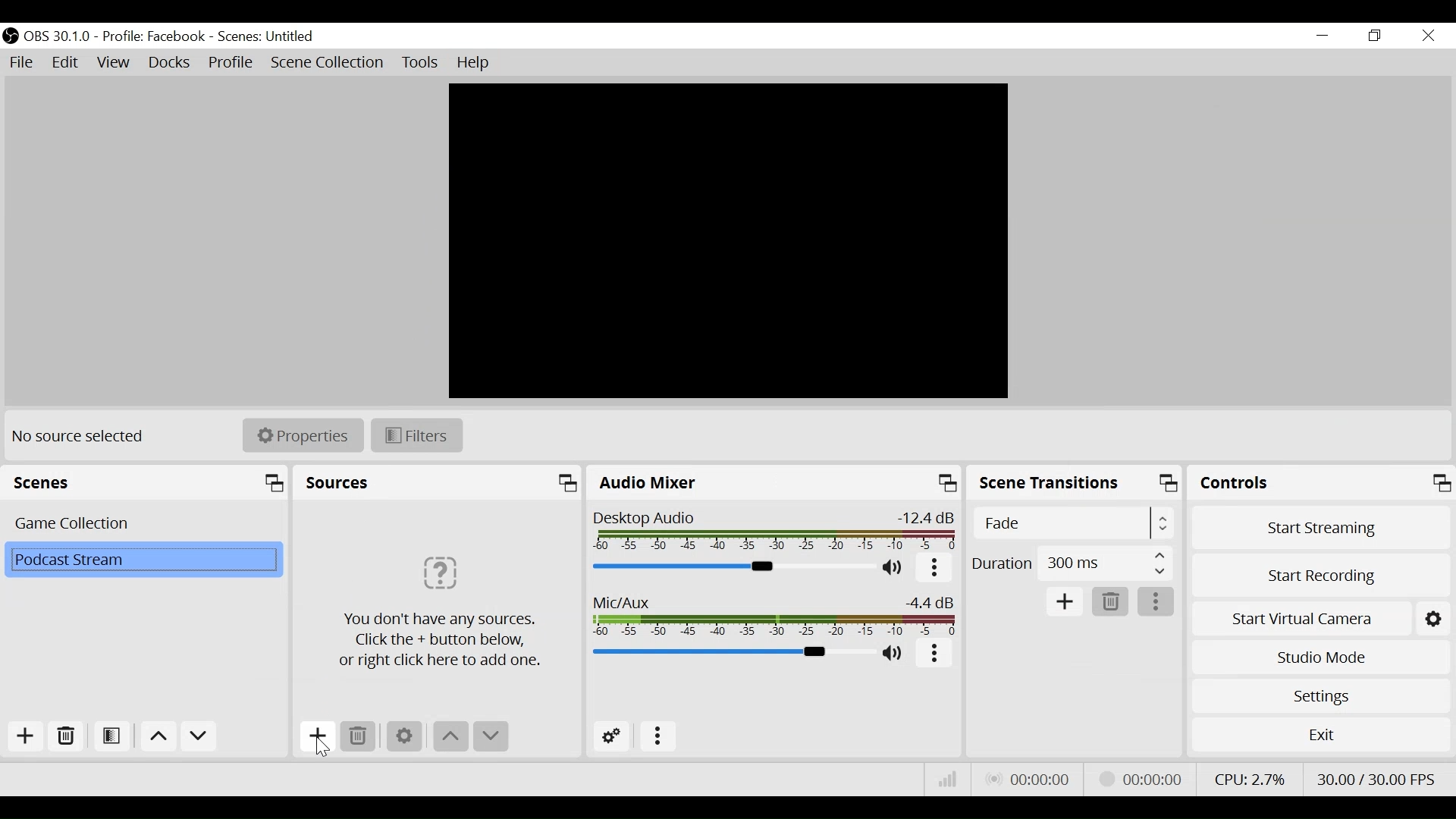  Describe the element at coordinates (898, 571) in the screenshot. I see `(un)mute` at that location.